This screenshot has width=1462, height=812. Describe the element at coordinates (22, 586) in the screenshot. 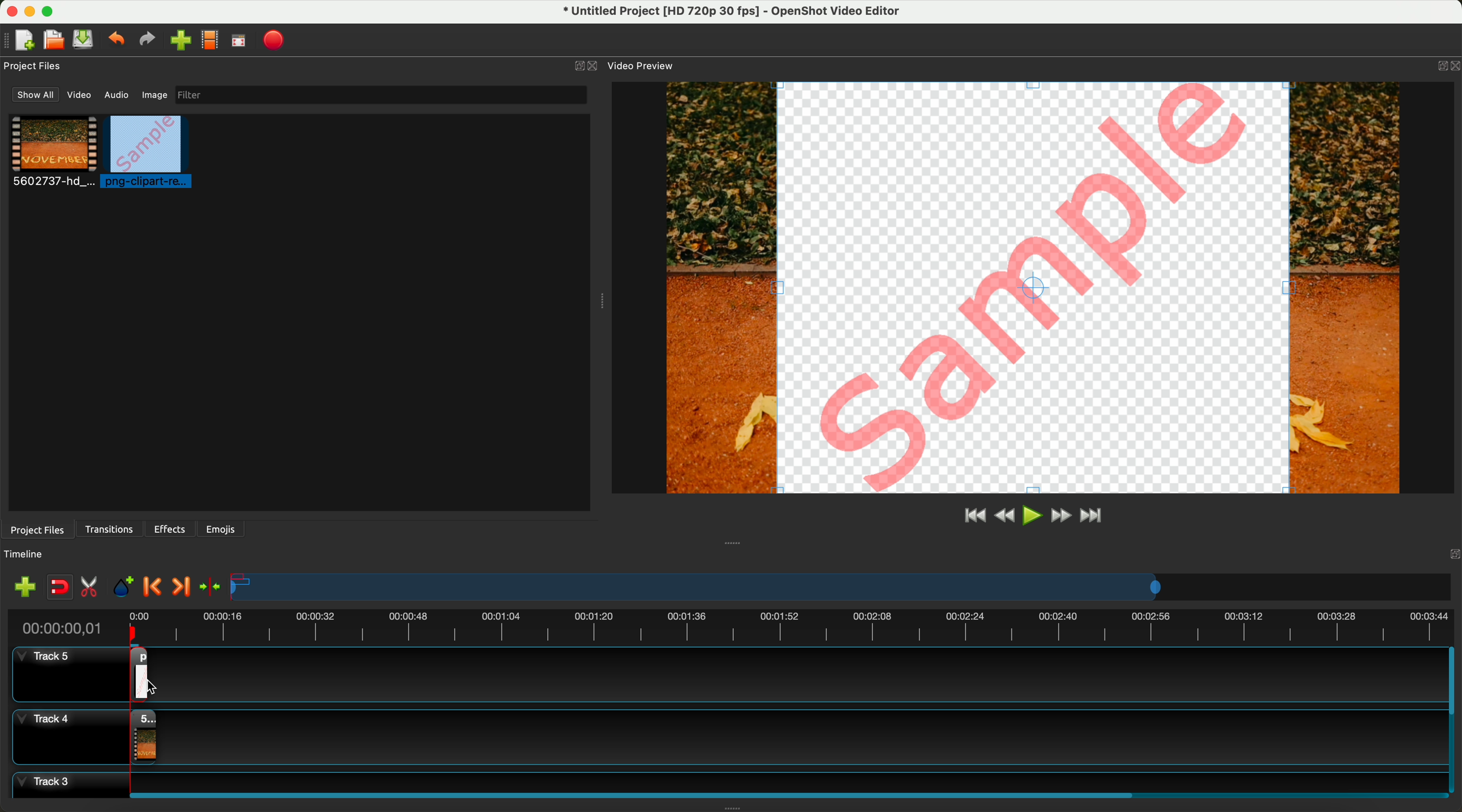

I see `import files` at that location.